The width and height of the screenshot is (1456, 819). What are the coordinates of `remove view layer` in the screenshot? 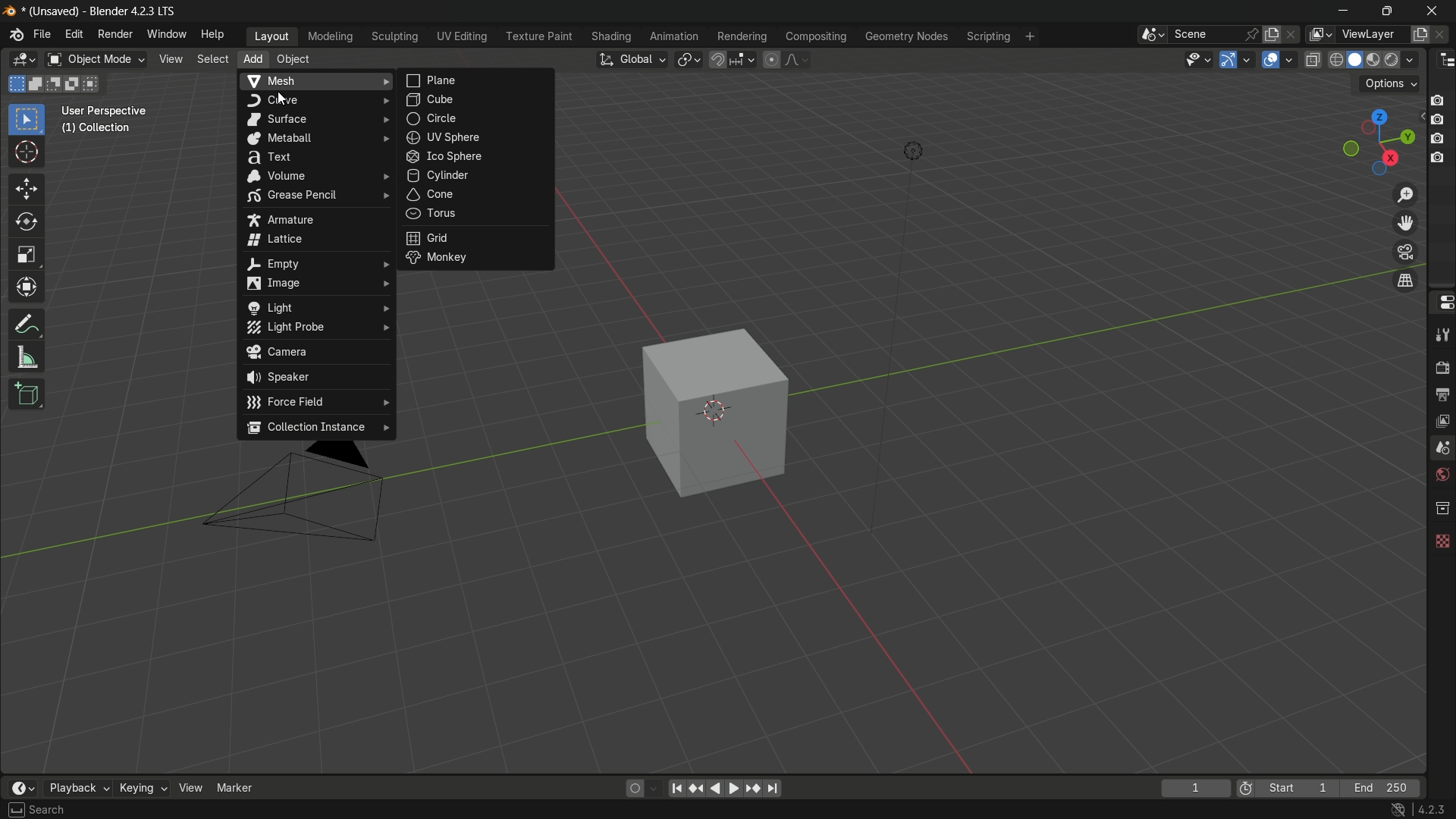 It's located at (1444, 35).